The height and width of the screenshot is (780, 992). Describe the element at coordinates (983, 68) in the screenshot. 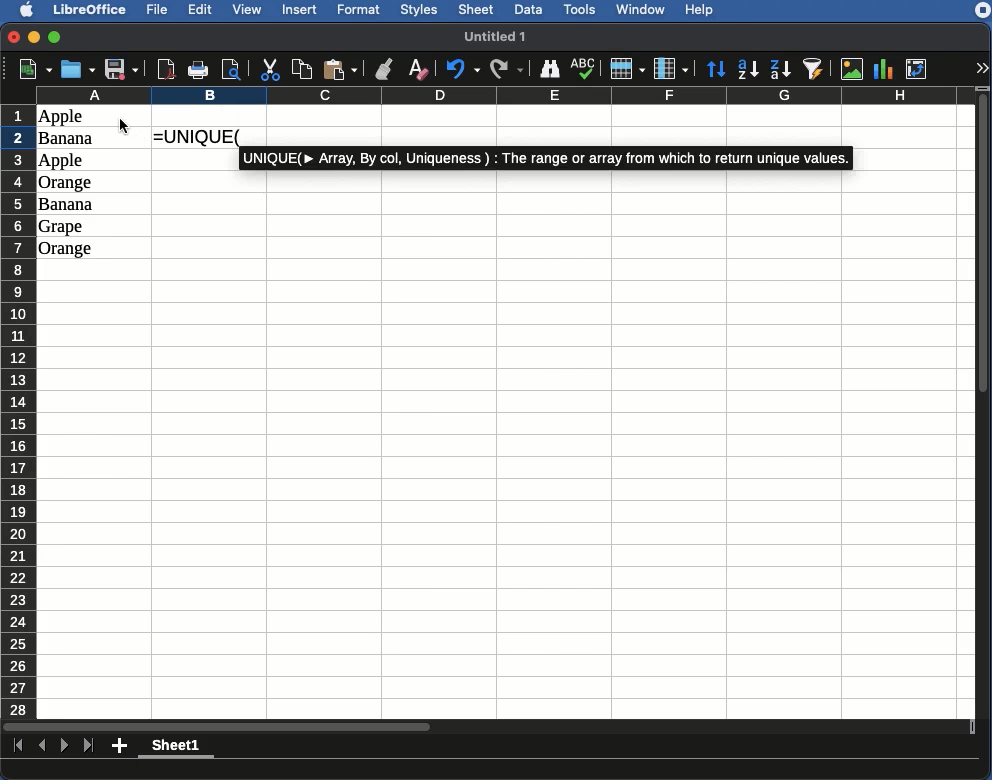

I see `Expand` at that location.